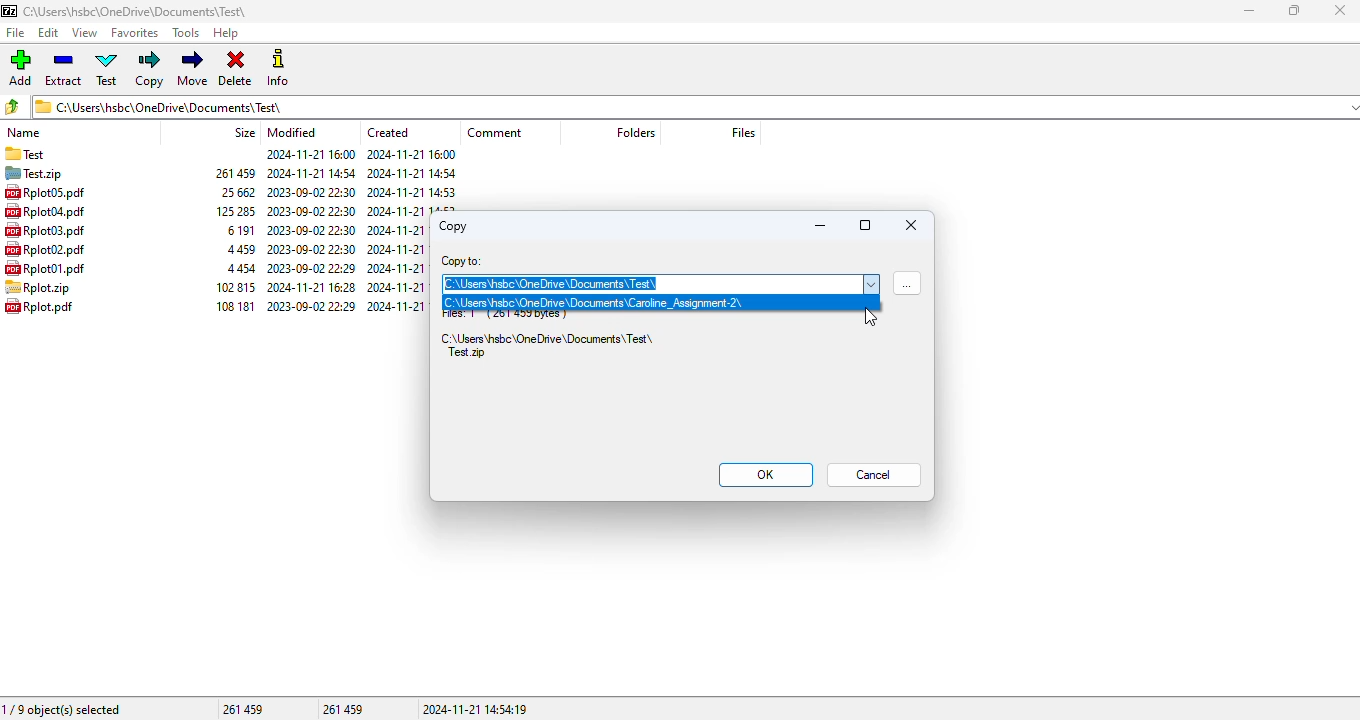  What do you see at coordinates (279, 67) in the screenshot?
I see `info` at bounding box center [279, 67].